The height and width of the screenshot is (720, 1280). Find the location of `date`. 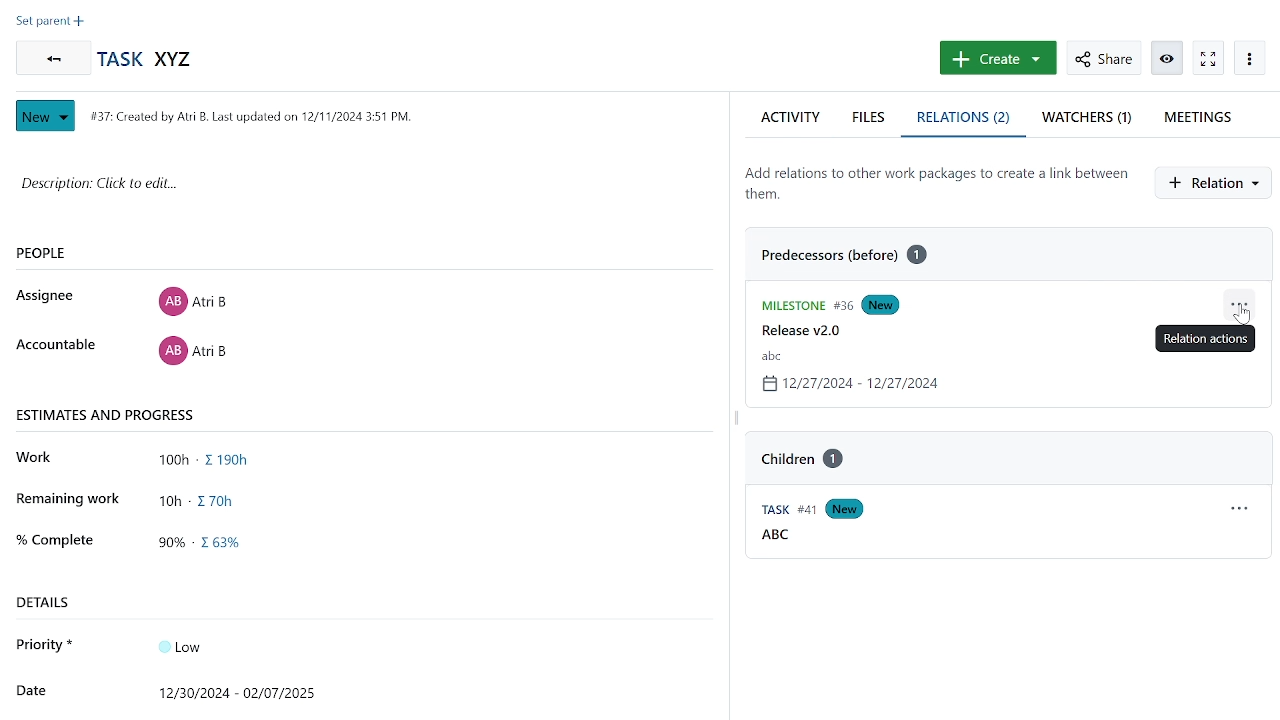

date is located at coordinates (30, 688).